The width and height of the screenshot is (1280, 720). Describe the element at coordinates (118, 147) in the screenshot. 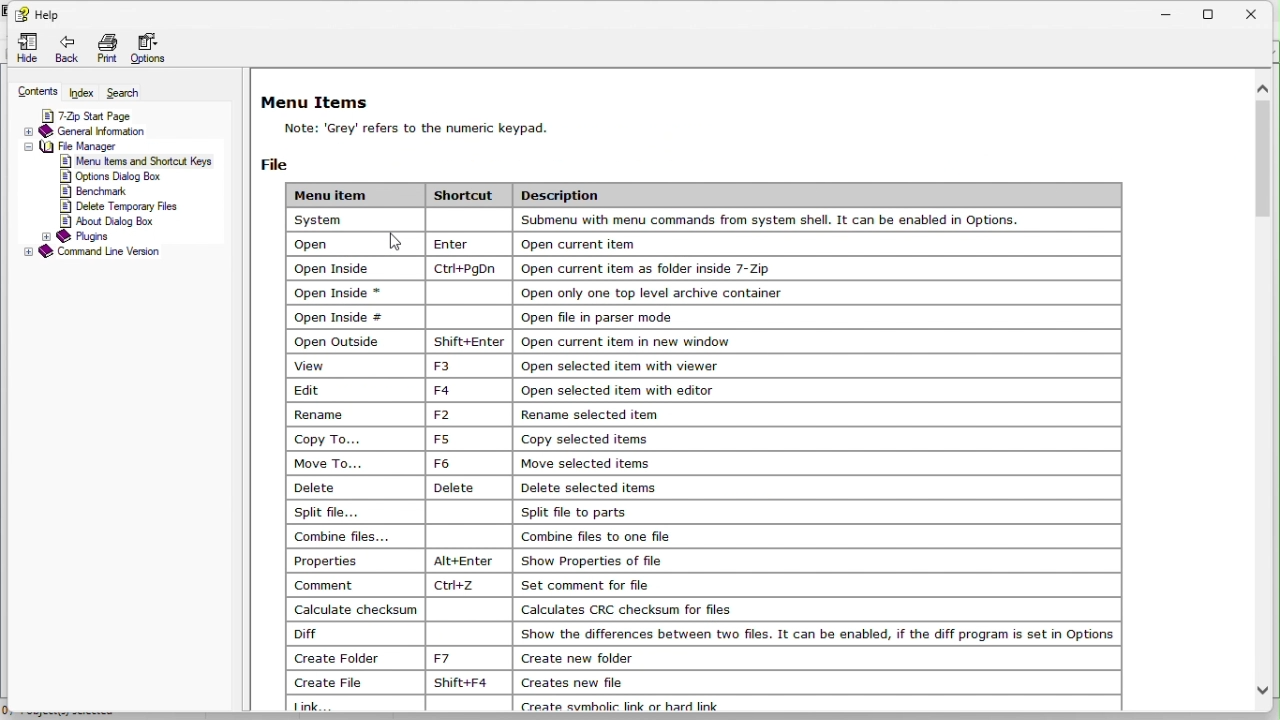

I see `File manager` at that location.